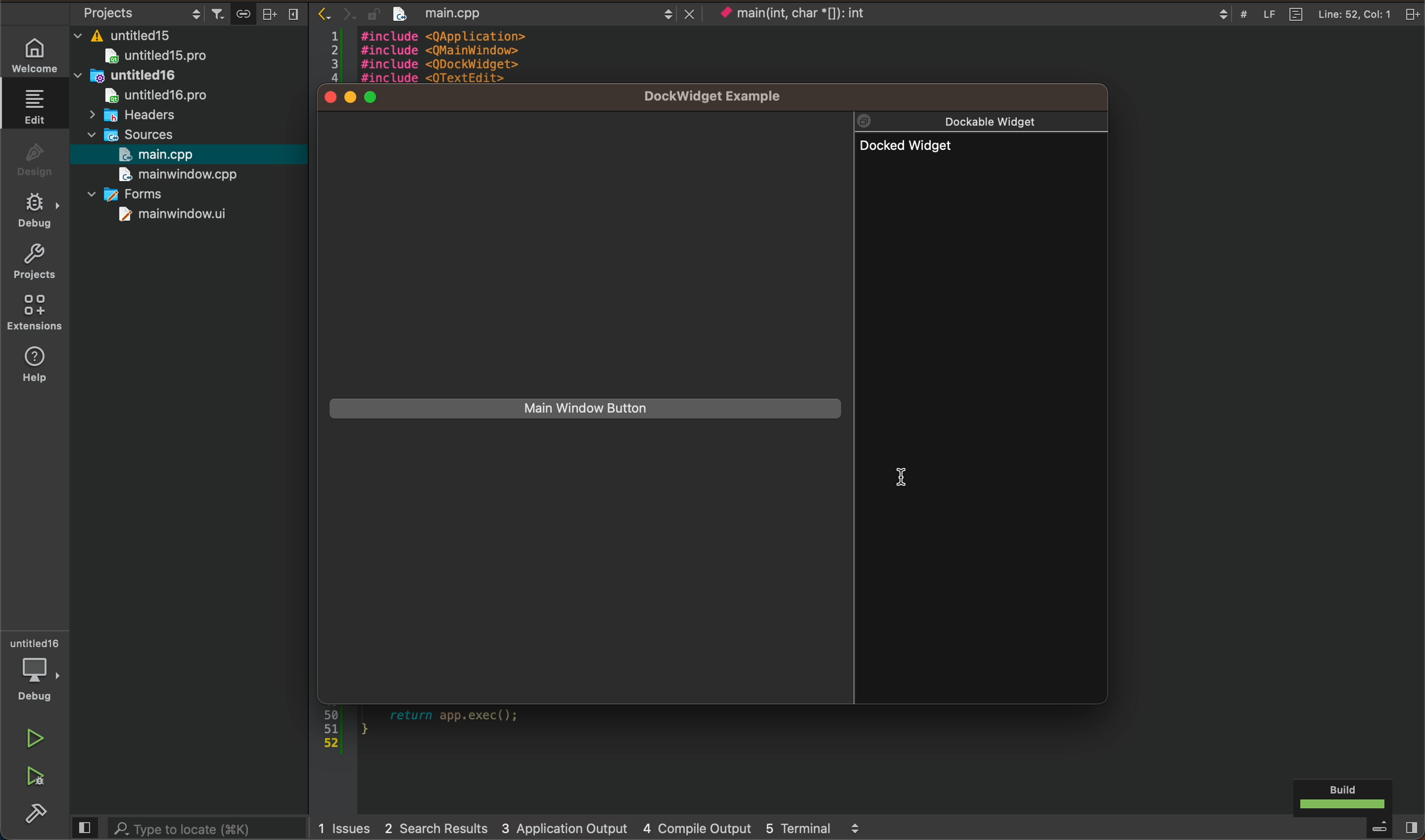 The image size is (1425, 840). What do you see at coordinates (208, 829) in the screenshot?
I see `search` at bounding box center [208, 829].